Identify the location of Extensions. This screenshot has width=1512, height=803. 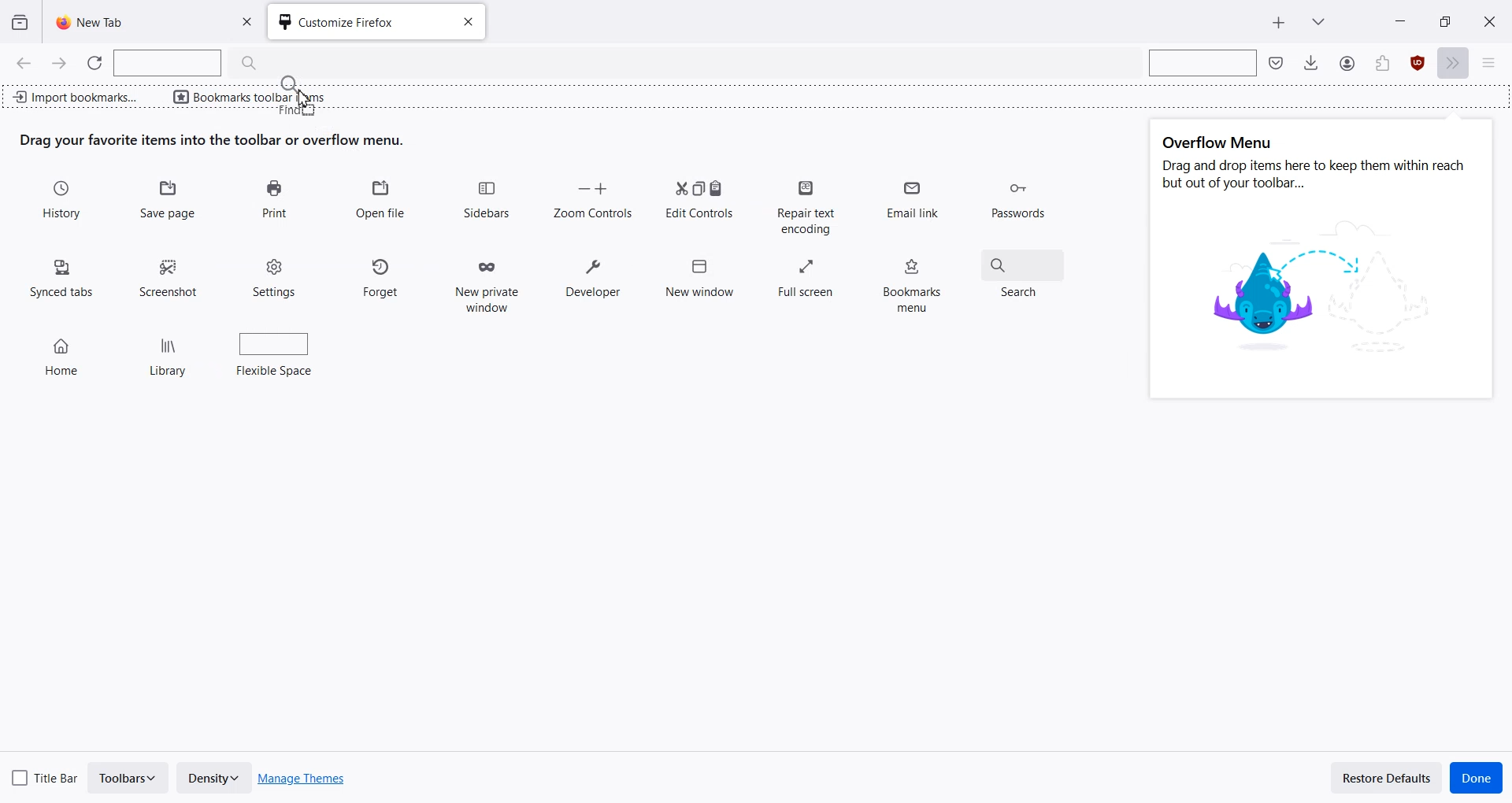
(1418, 64).